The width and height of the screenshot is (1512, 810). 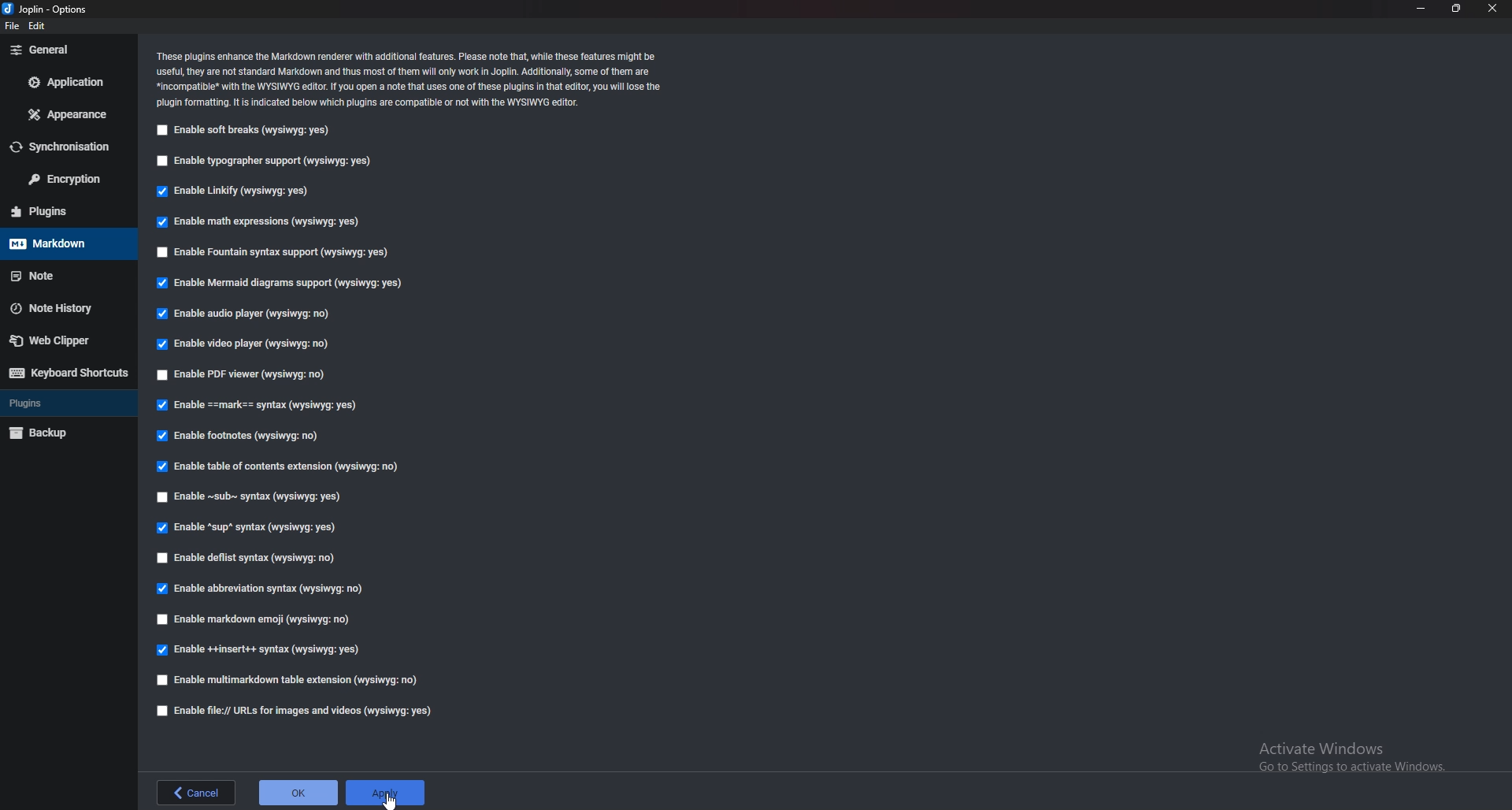 What do you see at coordinates (66, 373) in the screenshot?
I see `Keyboard shortcuts` at bounding box center [66, 373].